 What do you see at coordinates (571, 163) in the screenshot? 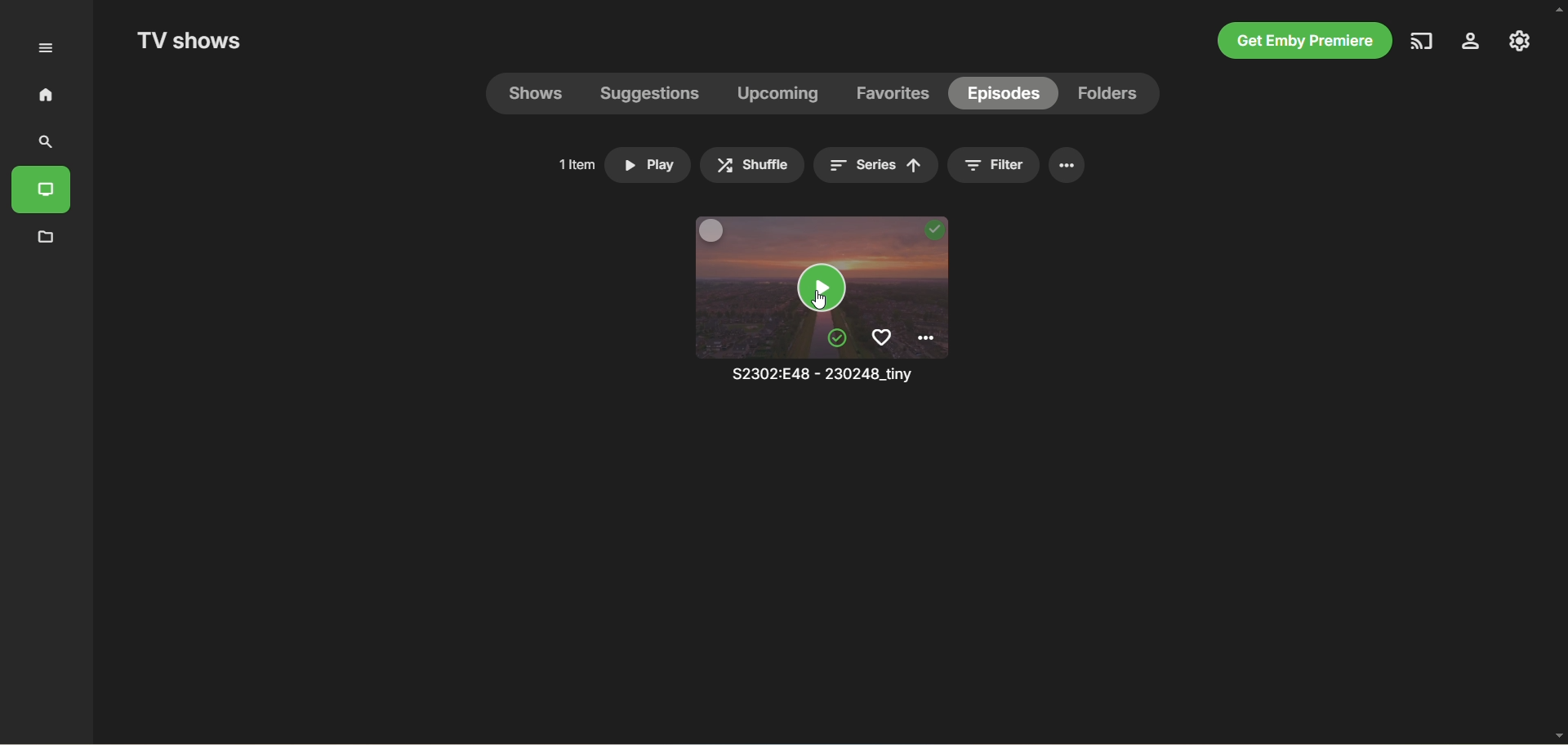
I see `0 items` at bounding box center [571, 163].